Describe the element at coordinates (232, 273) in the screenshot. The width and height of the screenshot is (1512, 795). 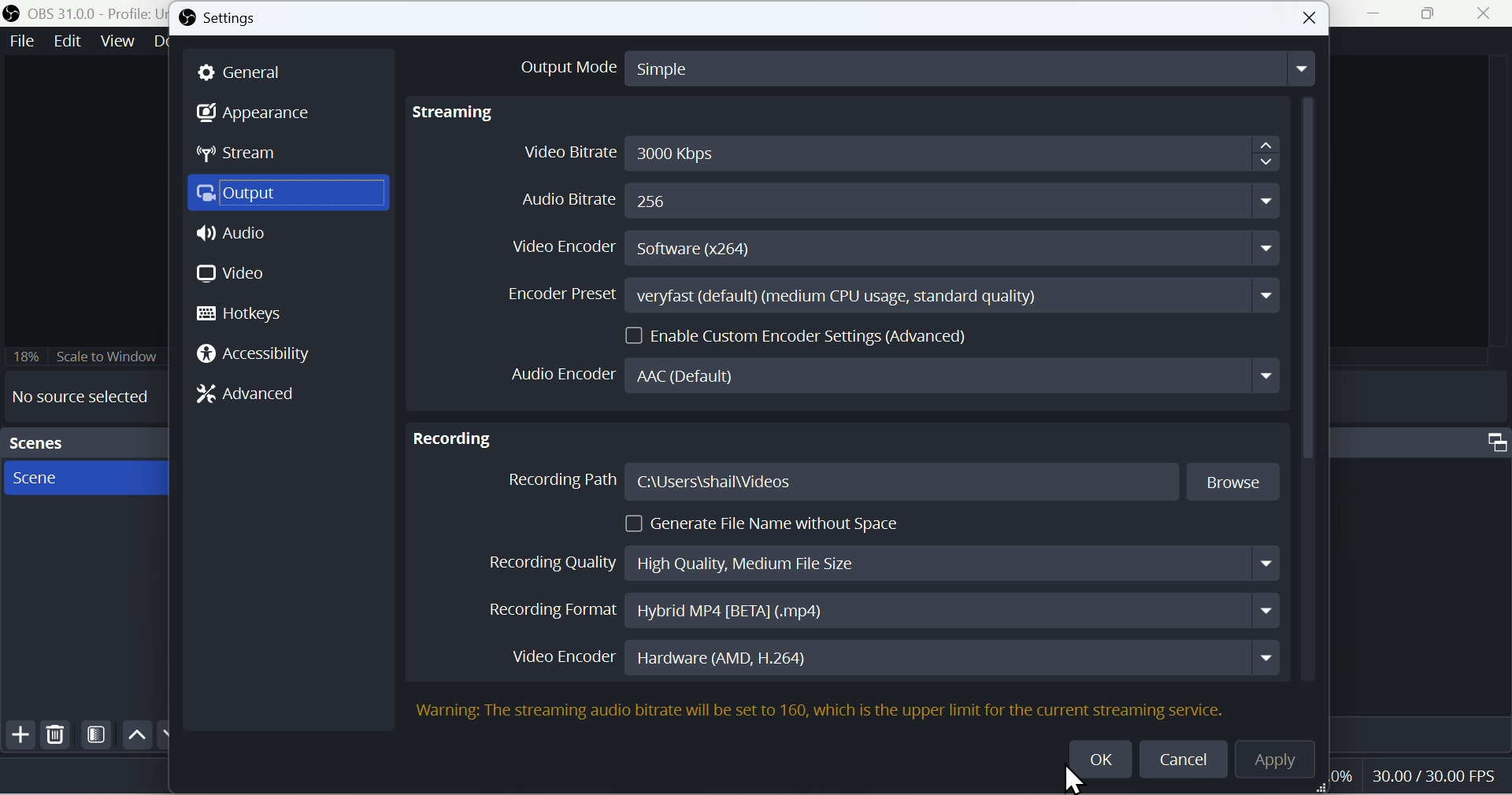
I see `Video` at that location.